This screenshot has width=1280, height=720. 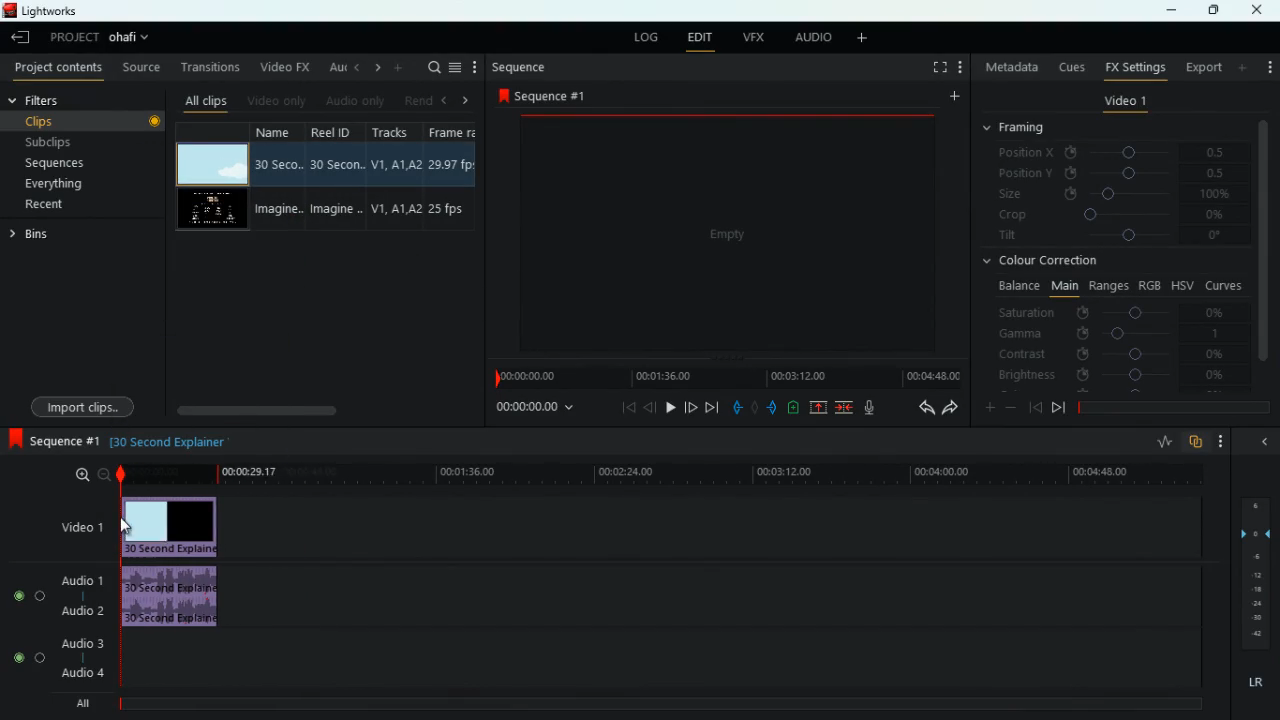 I want to click on close, so click(x=1261, y=443).